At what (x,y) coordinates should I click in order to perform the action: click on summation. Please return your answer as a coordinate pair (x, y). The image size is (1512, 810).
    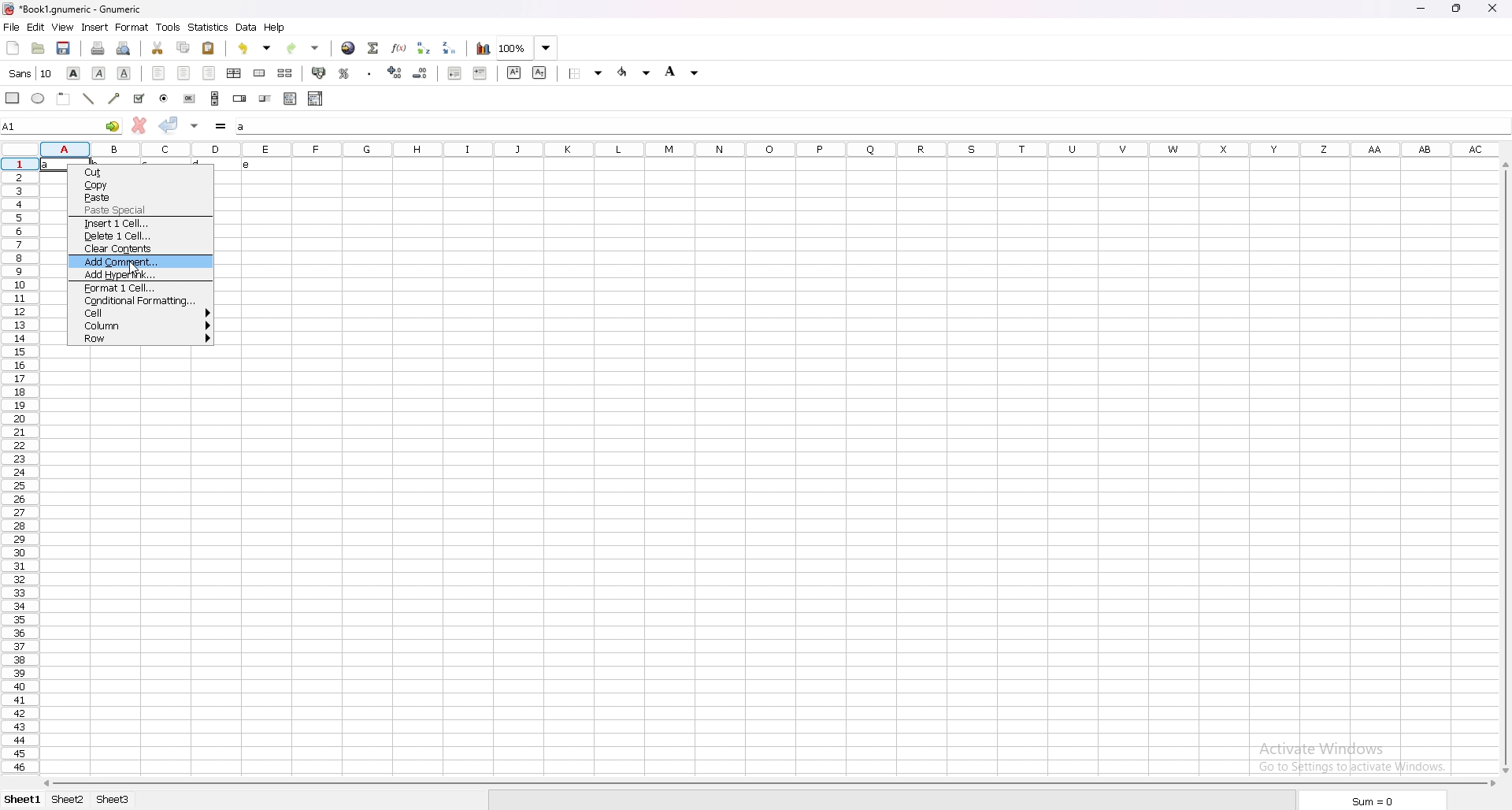
    Looking at the image, I should click on (374, 48).